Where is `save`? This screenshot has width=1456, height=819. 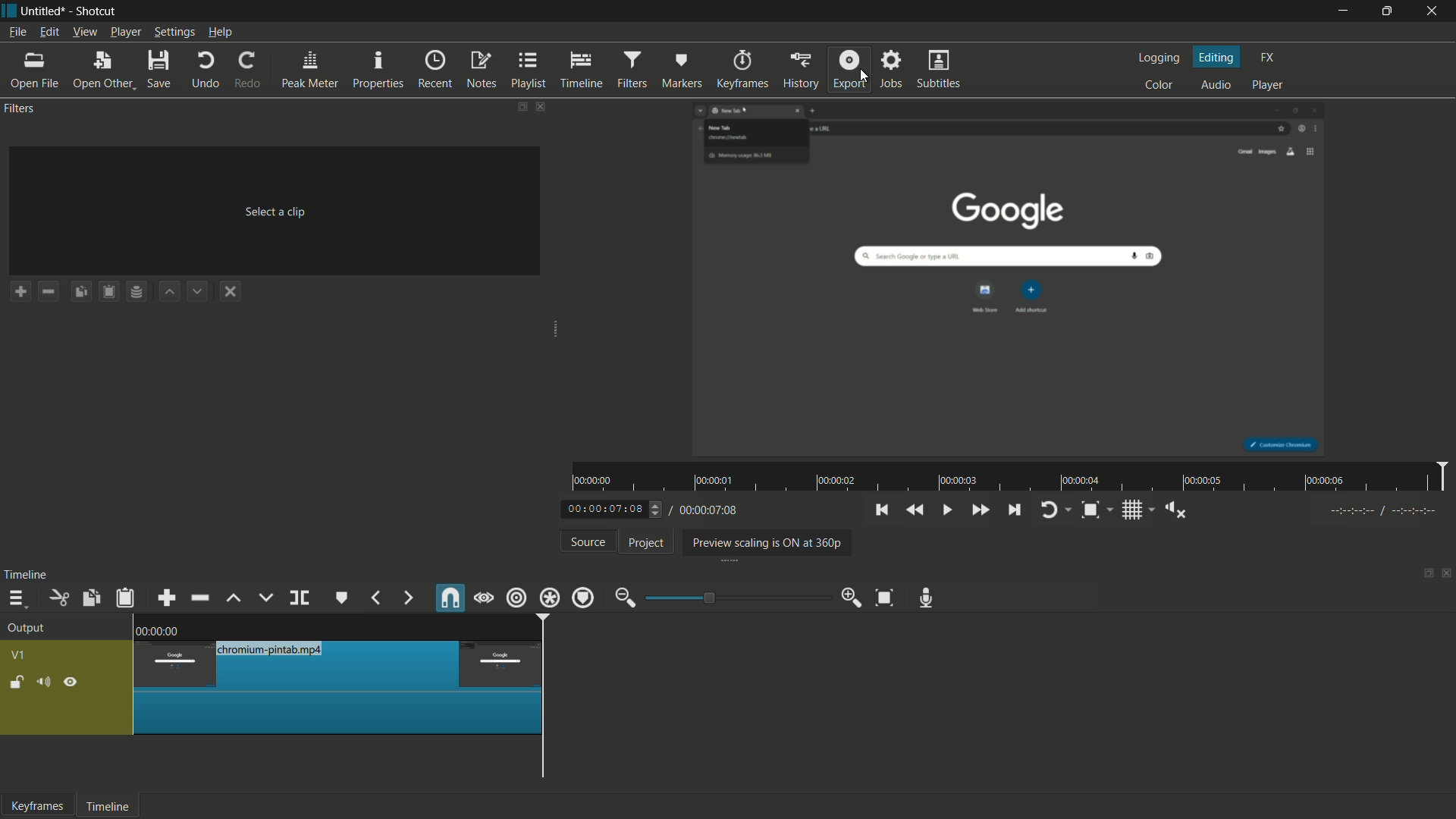
save is located at coordinates (160, 69).